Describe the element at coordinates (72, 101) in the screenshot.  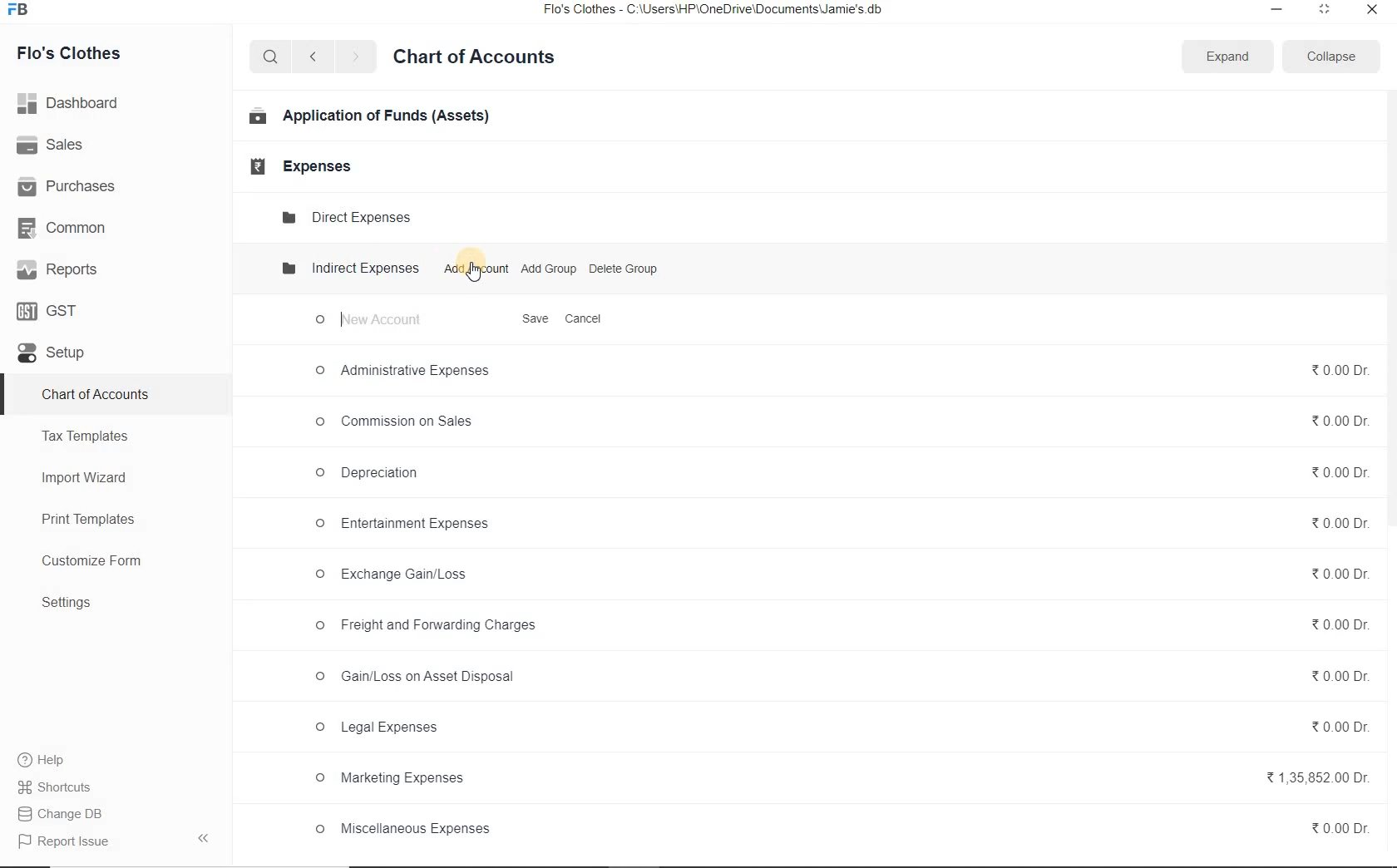
I see `Dashboard` at that location.